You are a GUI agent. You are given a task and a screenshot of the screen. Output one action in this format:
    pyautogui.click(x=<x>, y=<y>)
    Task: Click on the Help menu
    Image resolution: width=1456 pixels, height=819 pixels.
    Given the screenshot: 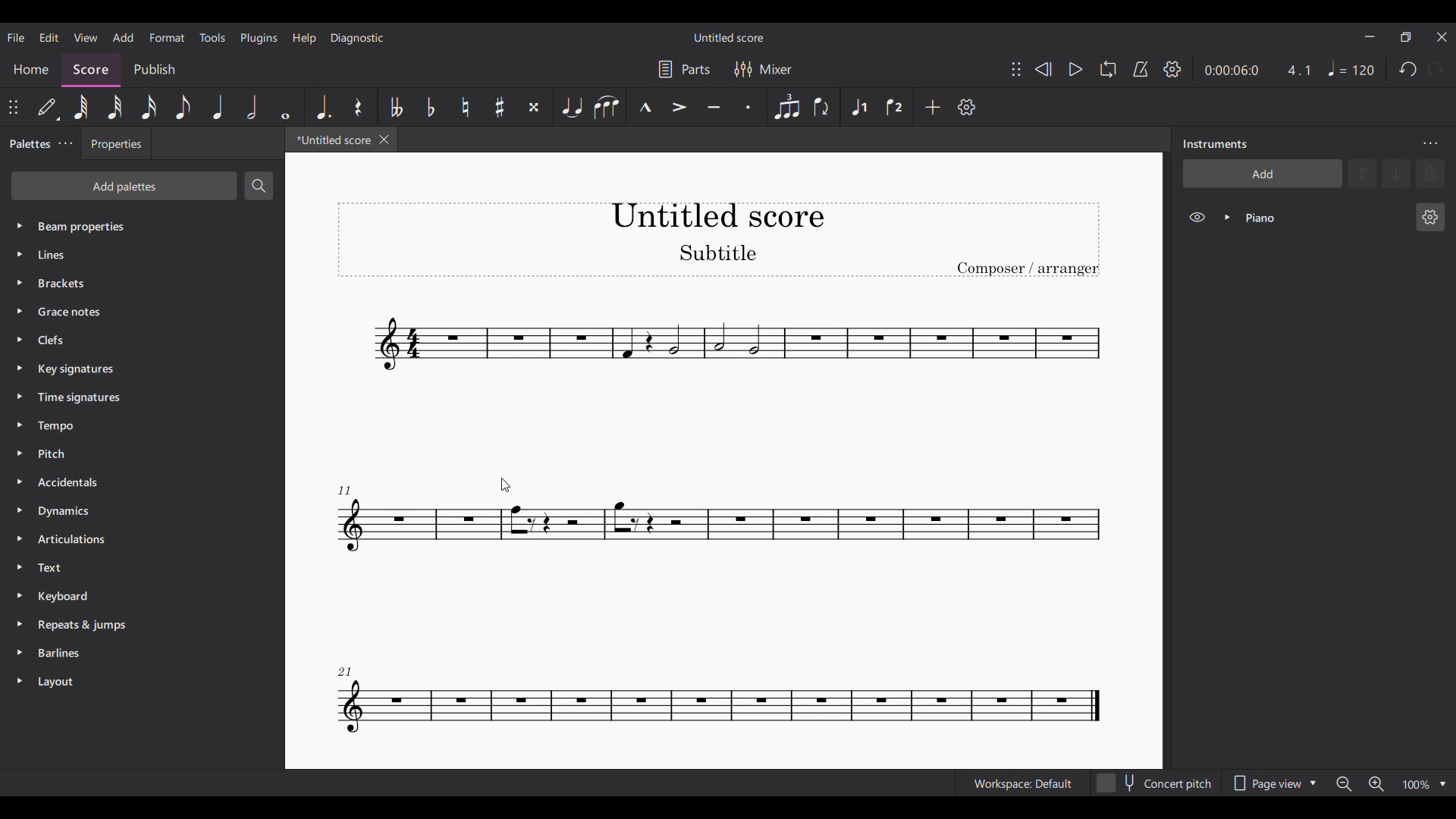 What is the action you would take?
    pyautogui.click(x=304, y=39)
    